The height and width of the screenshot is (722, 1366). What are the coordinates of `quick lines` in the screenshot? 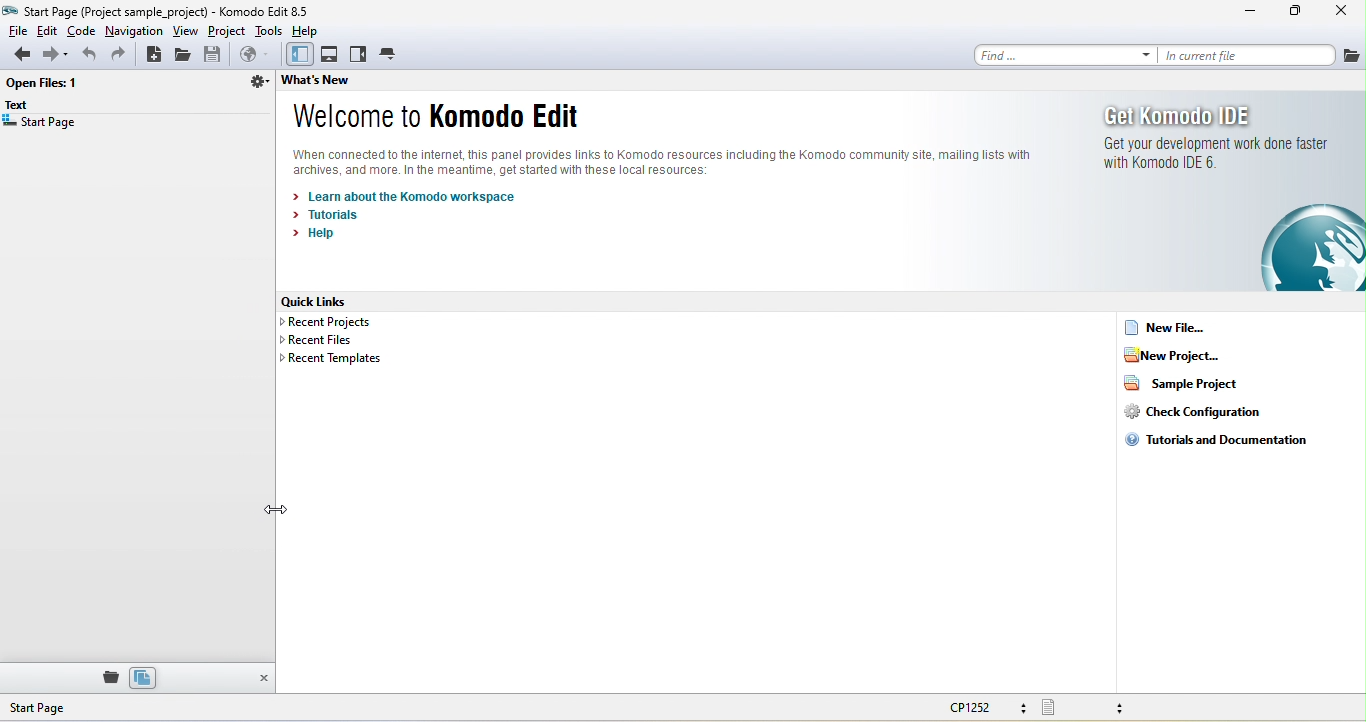 It's located at (328, 302).